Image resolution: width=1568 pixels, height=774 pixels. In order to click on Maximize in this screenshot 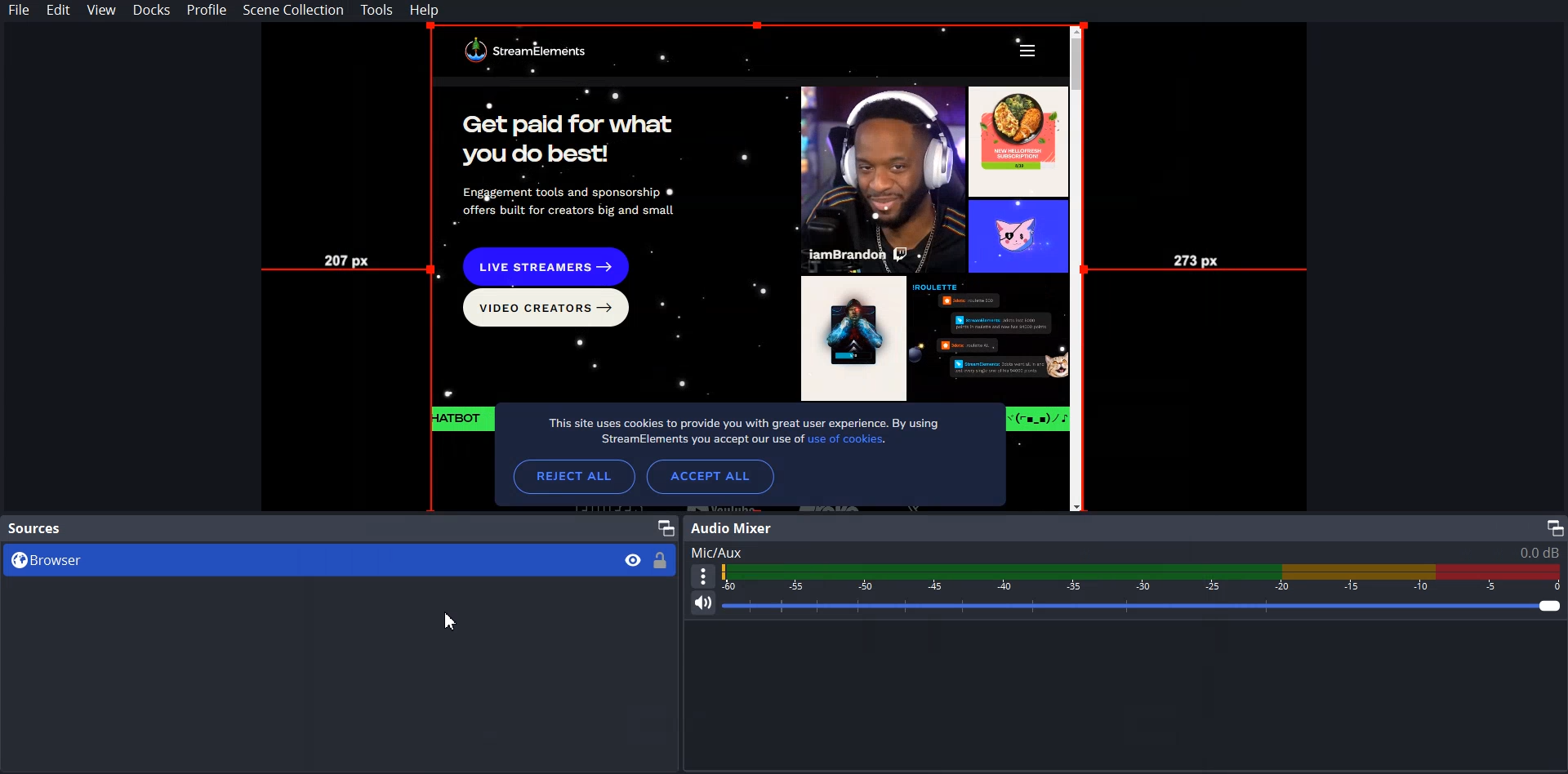, I will do `click(670, 527)`.